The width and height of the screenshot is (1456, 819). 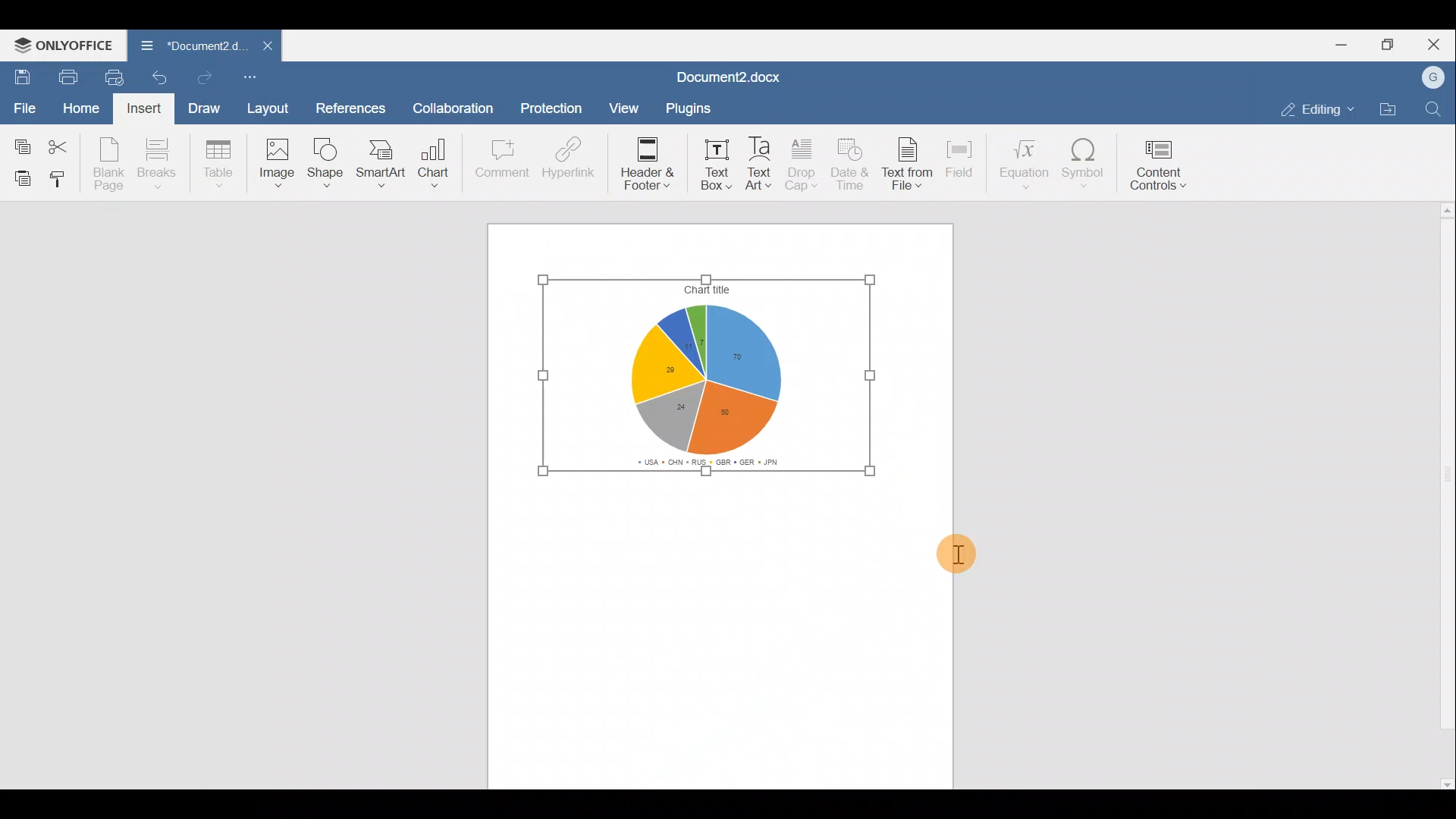 I want to click on Editing mode, so click(x=1316, y=106).